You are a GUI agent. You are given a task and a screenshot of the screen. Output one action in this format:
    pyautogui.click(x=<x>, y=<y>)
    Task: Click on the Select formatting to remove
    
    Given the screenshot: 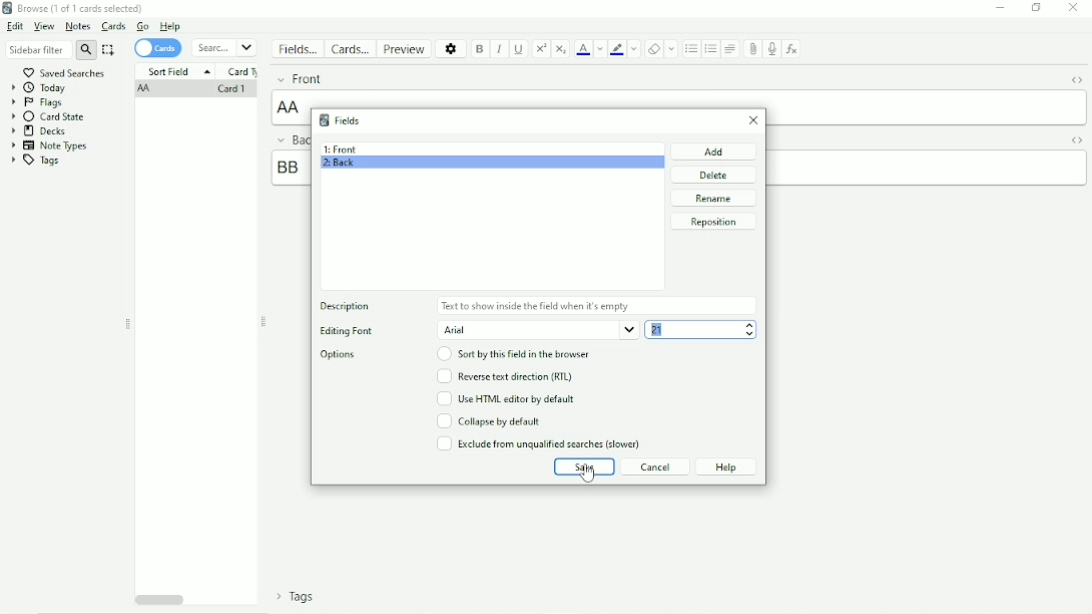 What is the action you would take?
    pyautogui.click(x=672, y=48)
    